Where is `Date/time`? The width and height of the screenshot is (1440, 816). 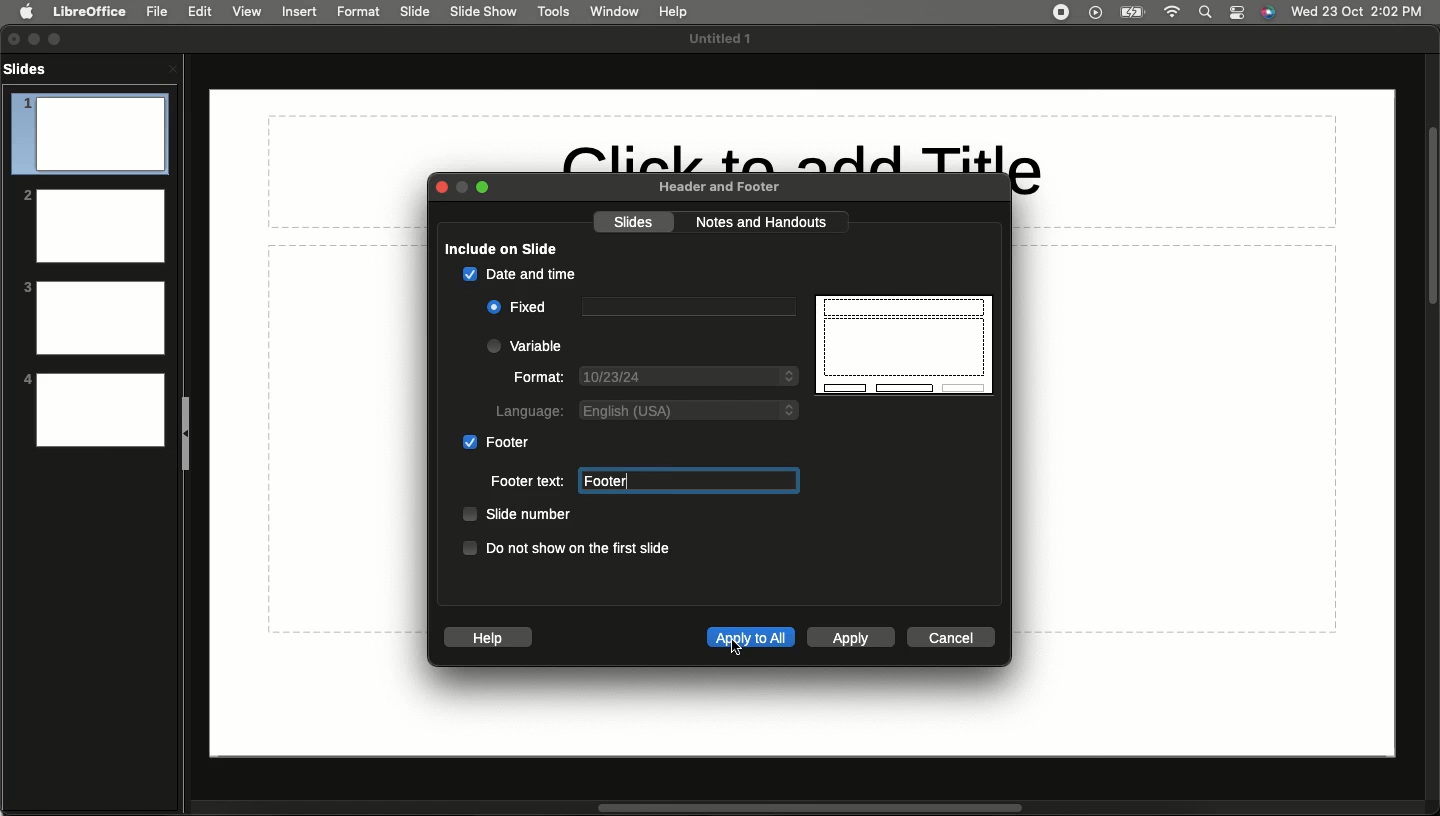 Date/time is located at coordinates (1357, 10).